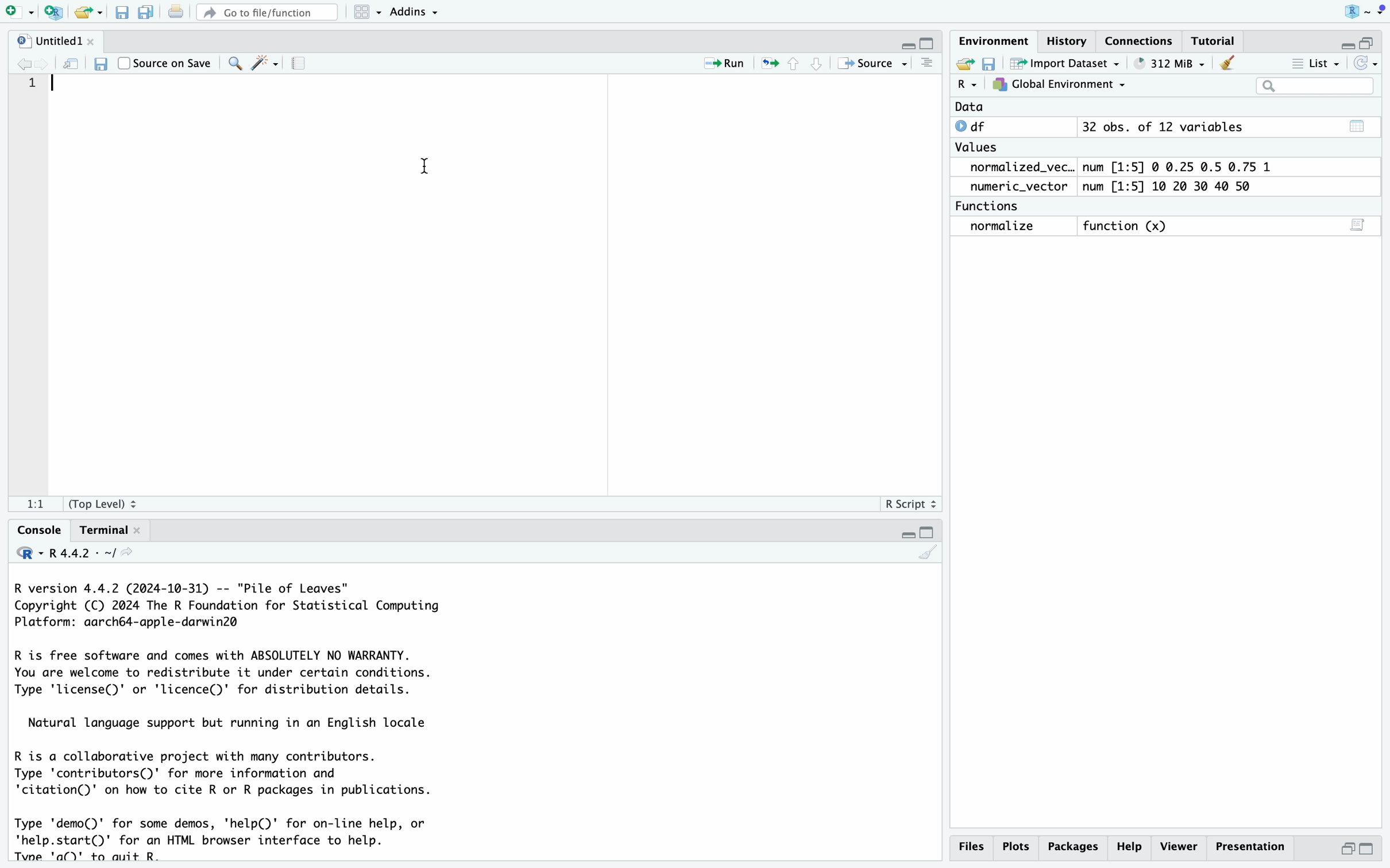 The image size is (1390, 868). What do you see at coordinates (1062, 84) in the screenshot?
I see `7} Global Environment ~` at bounding box center [1062, 84].